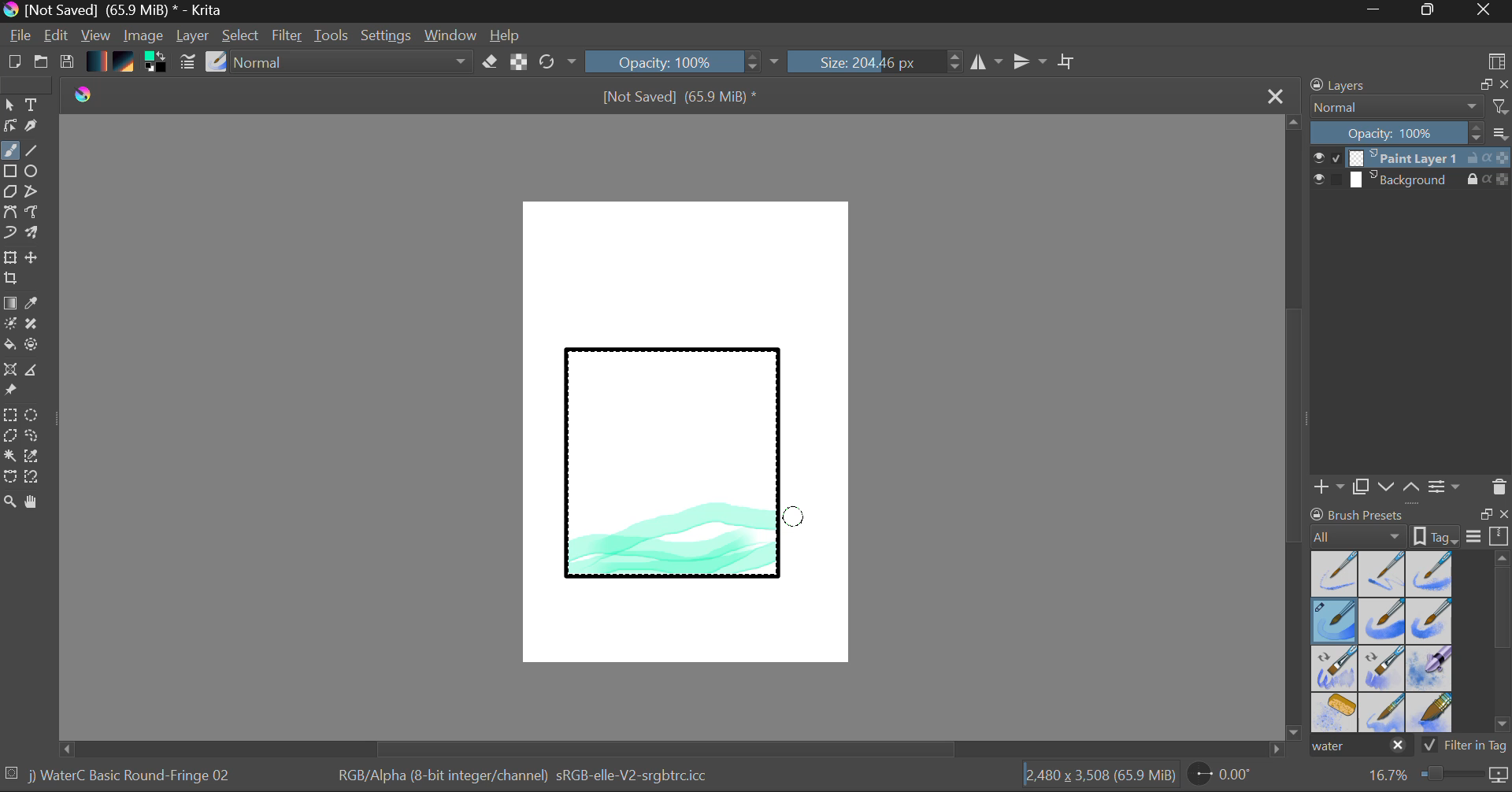  I want to click on Freehand Selection, so click(32, 438).